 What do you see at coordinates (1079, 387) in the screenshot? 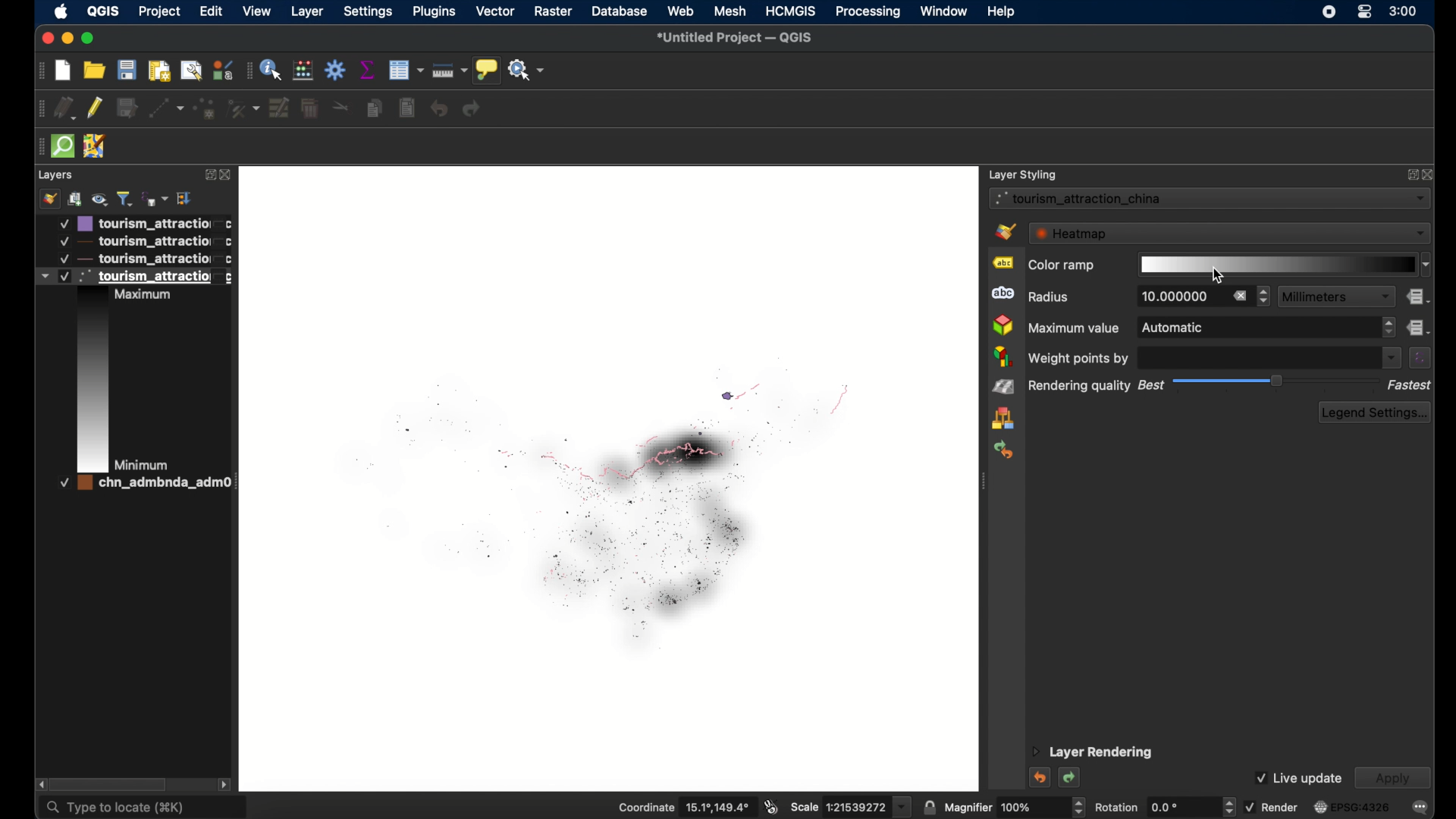
I see `rendering quality` at bounding box center [1079, 387].